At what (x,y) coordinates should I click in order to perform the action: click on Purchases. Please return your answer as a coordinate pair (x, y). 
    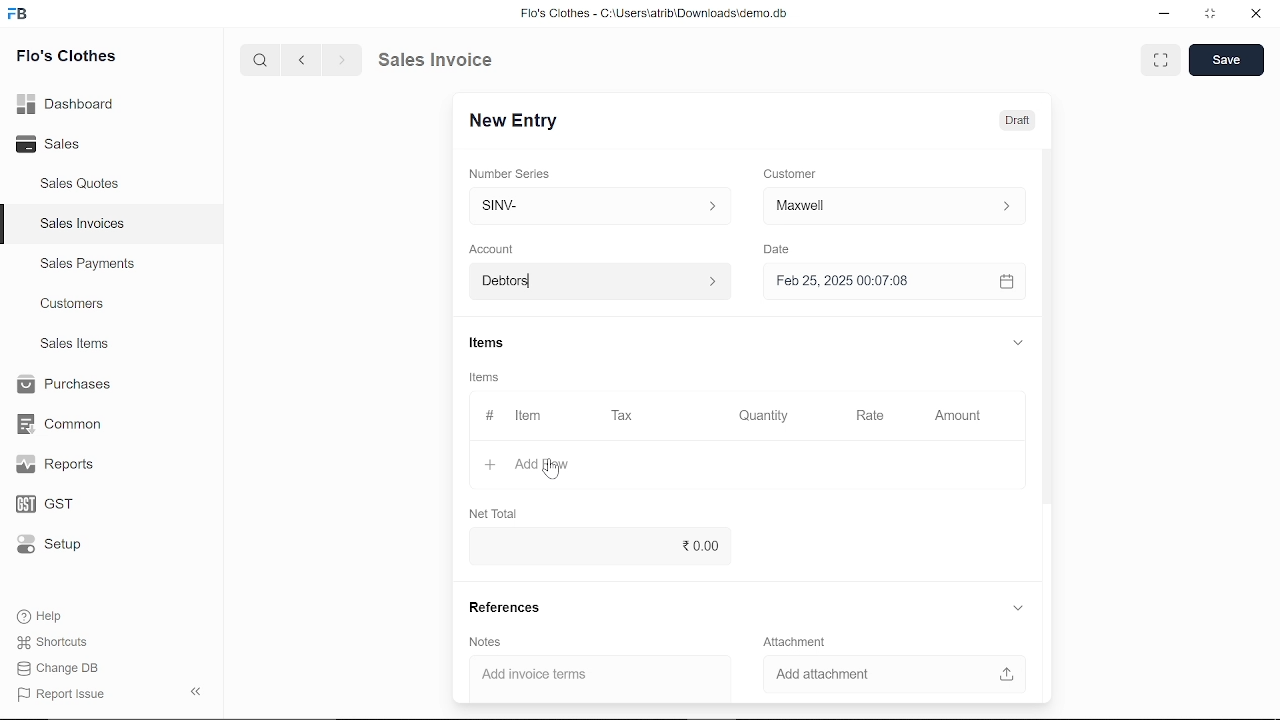
    Looking at the image, I should click on (67, 386).